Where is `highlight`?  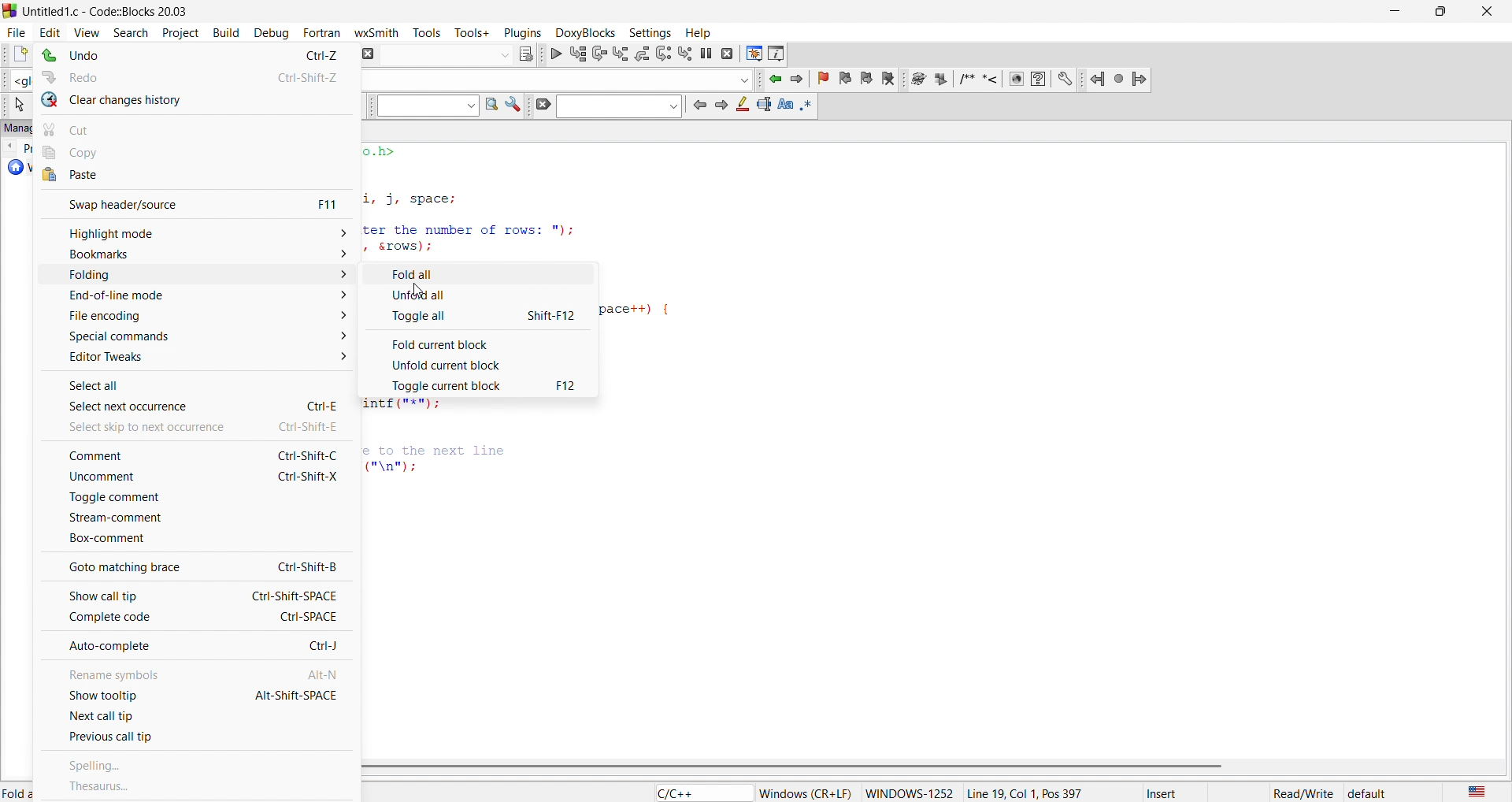 highlight is located at coordinates (740, 106).